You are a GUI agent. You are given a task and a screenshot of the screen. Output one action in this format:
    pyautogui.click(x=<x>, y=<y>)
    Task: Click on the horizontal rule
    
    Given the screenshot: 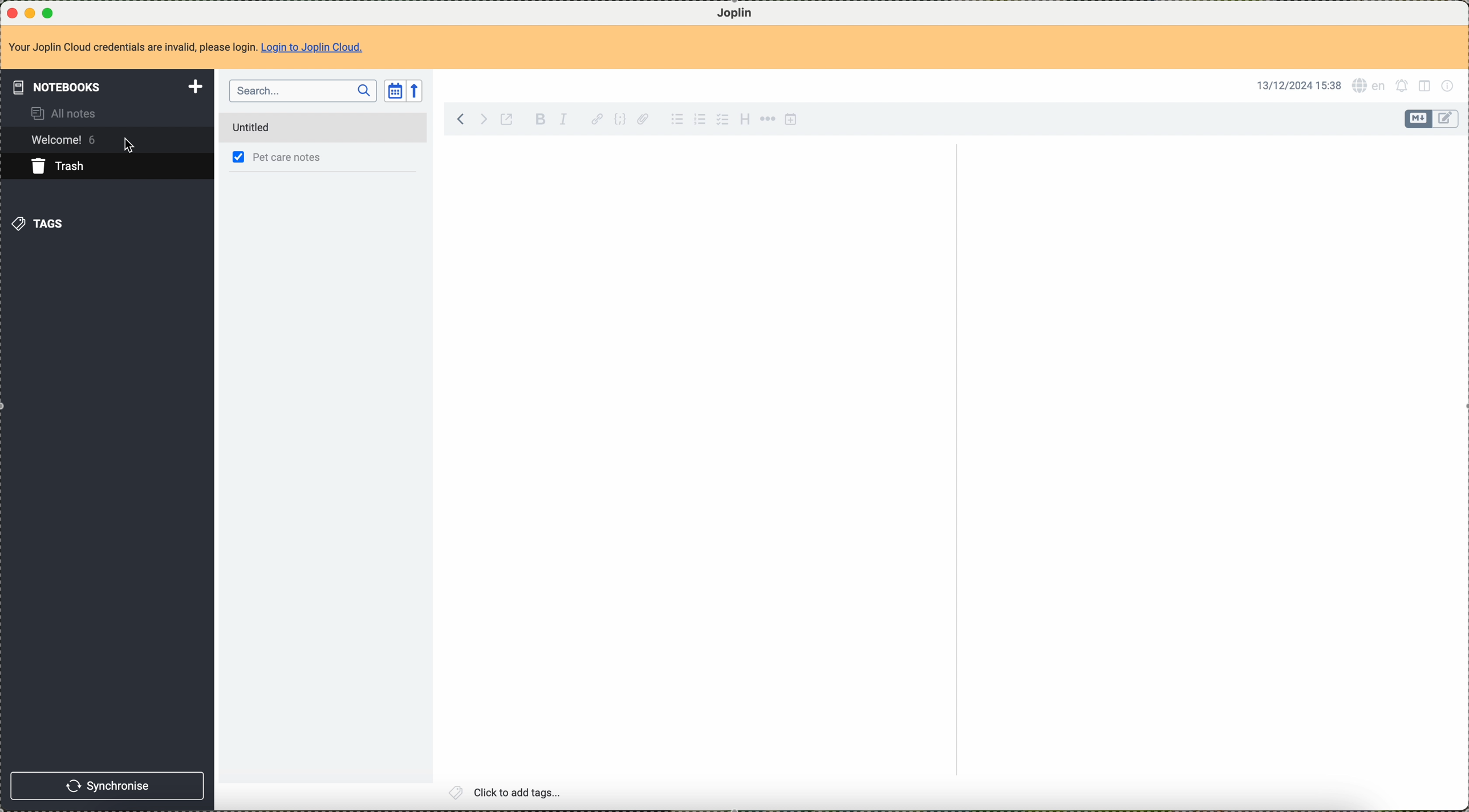 What is the action you would take?
    pyautogui.click(x=768, y=120)
    